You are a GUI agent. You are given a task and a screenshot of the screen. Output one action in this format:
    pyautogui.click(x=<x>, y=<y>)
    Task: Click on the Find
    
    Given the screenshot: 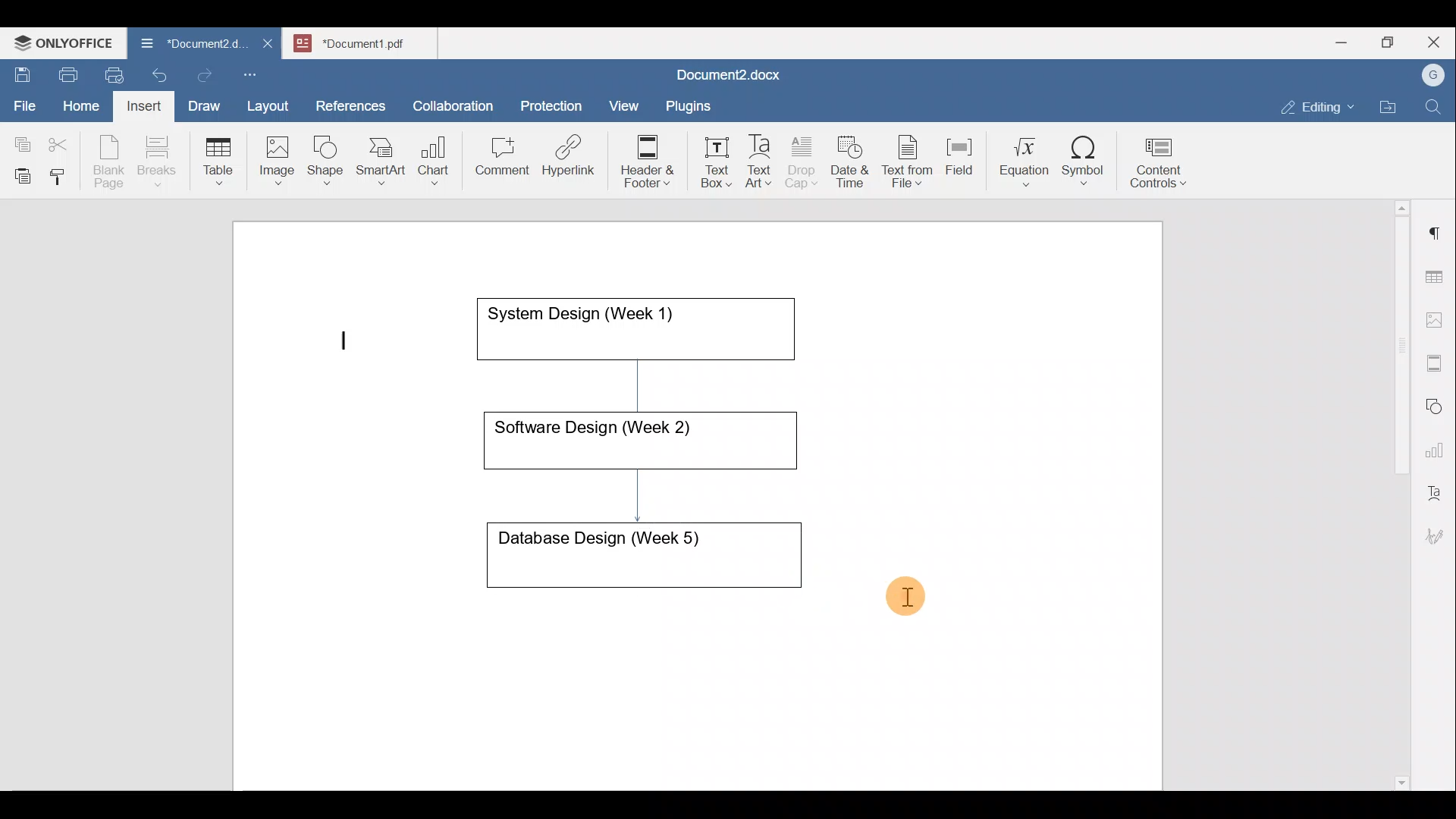 What is the action you would take?
    pyautogui.click(x=1435, y=108)
    